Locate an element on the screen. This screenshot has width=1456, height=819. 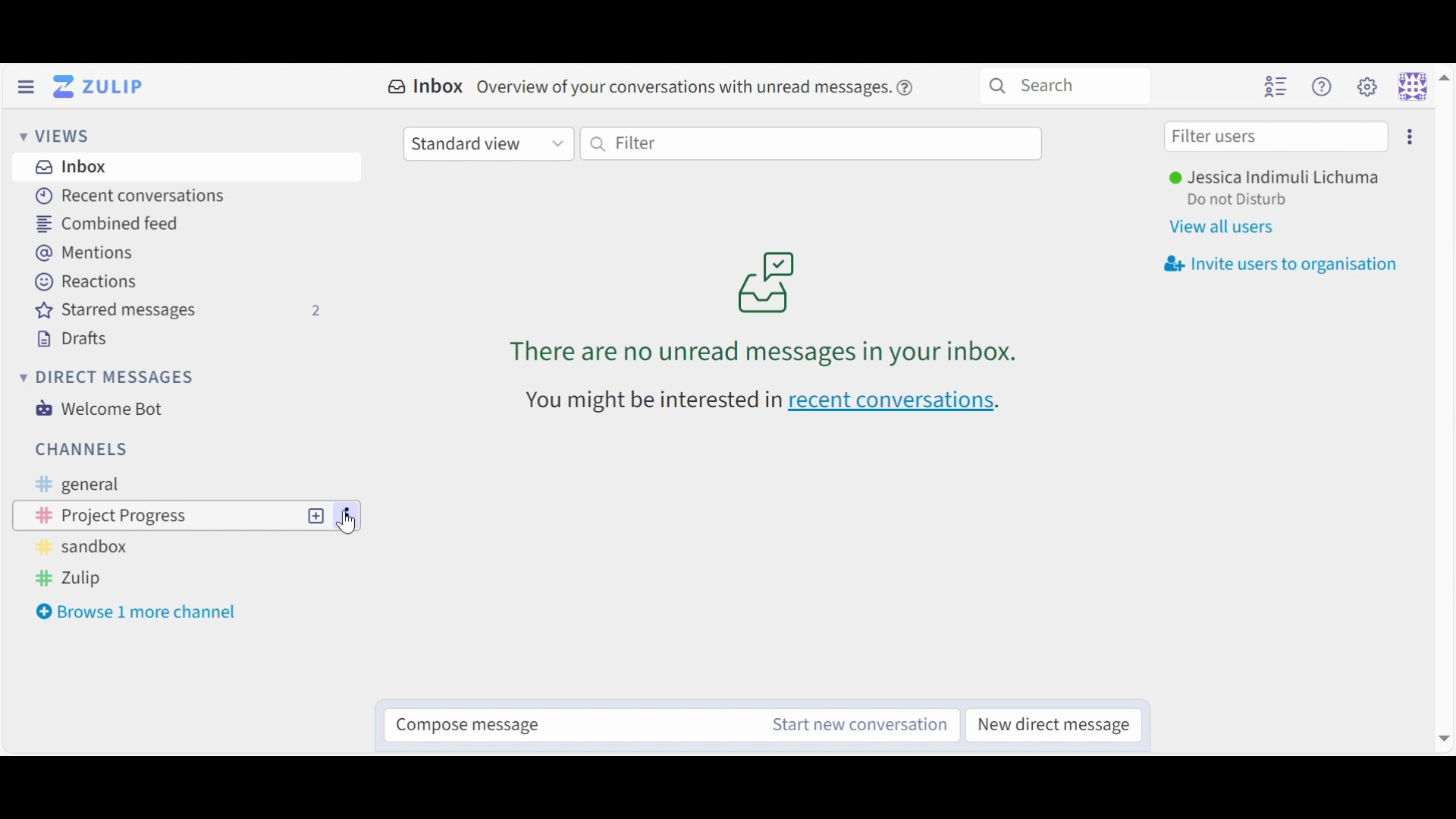
New direct message is located at coordinates (1050, 724).